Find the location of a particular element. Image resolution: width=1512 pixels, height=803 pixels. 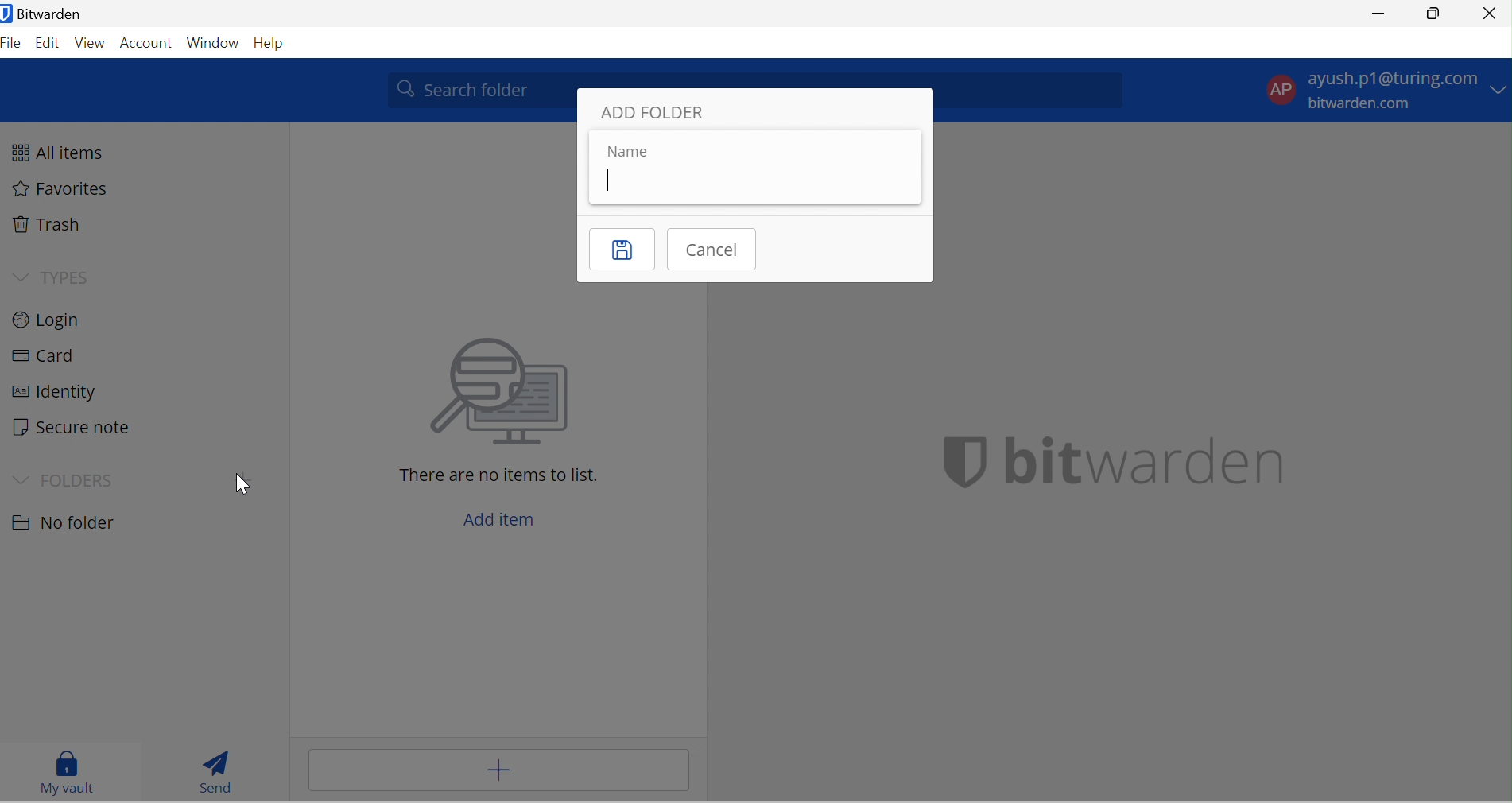

Drop Down is located at coordinates (21, 277).